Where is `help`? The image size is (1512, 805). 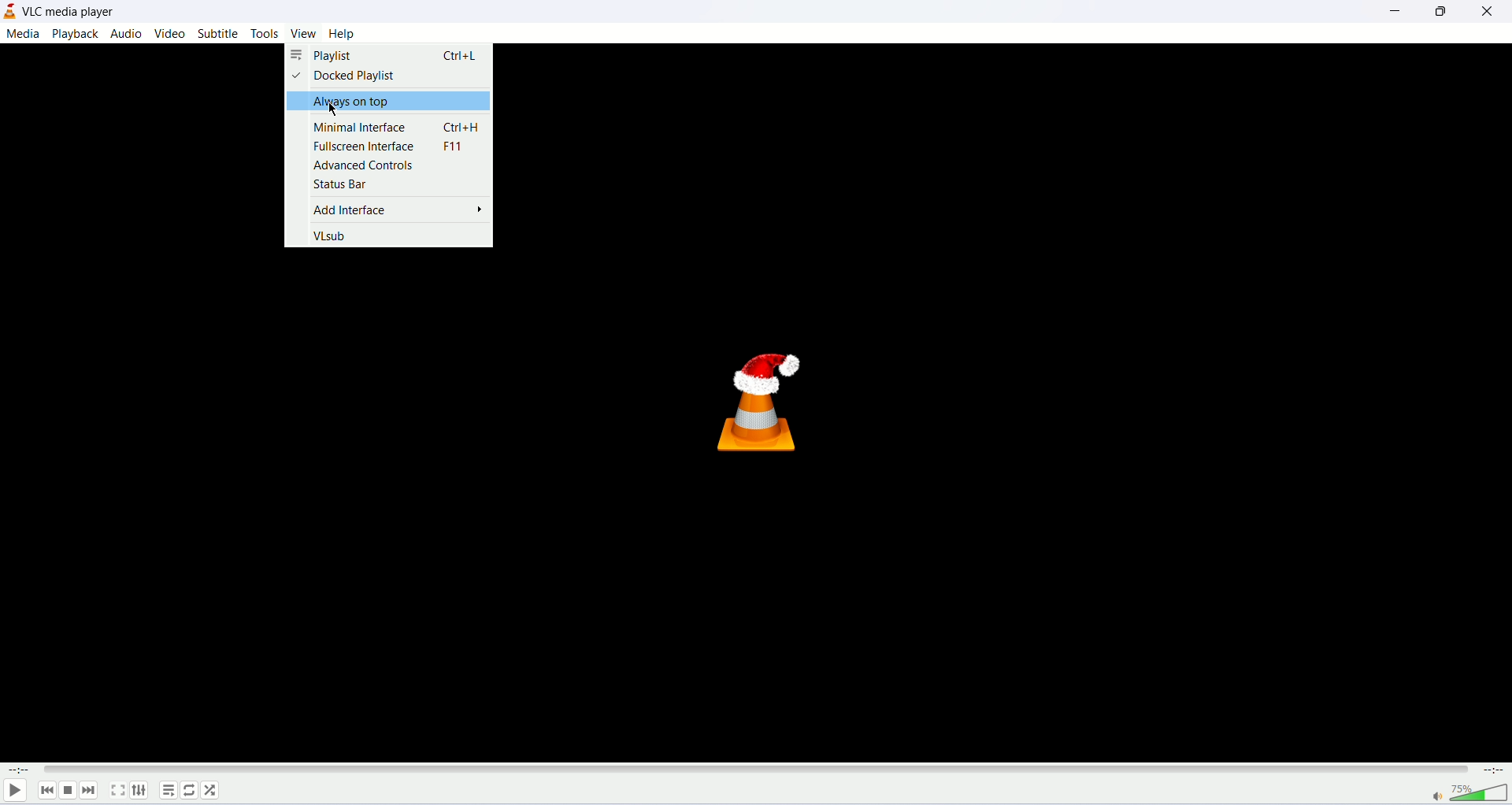
help is located at coordinates (342, 34).